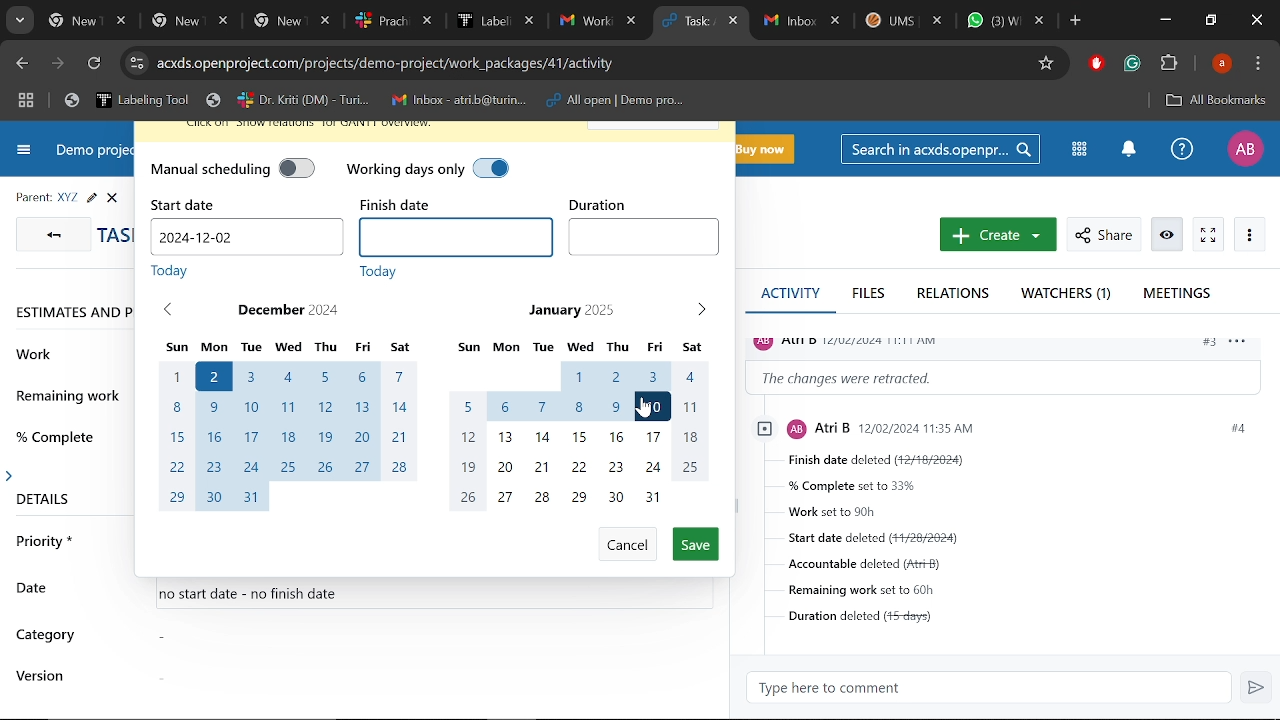 Image resolution: width=1280 pixels, height=720 pixels. I want to click on Add/remove bookmark, so click(1045, 64).